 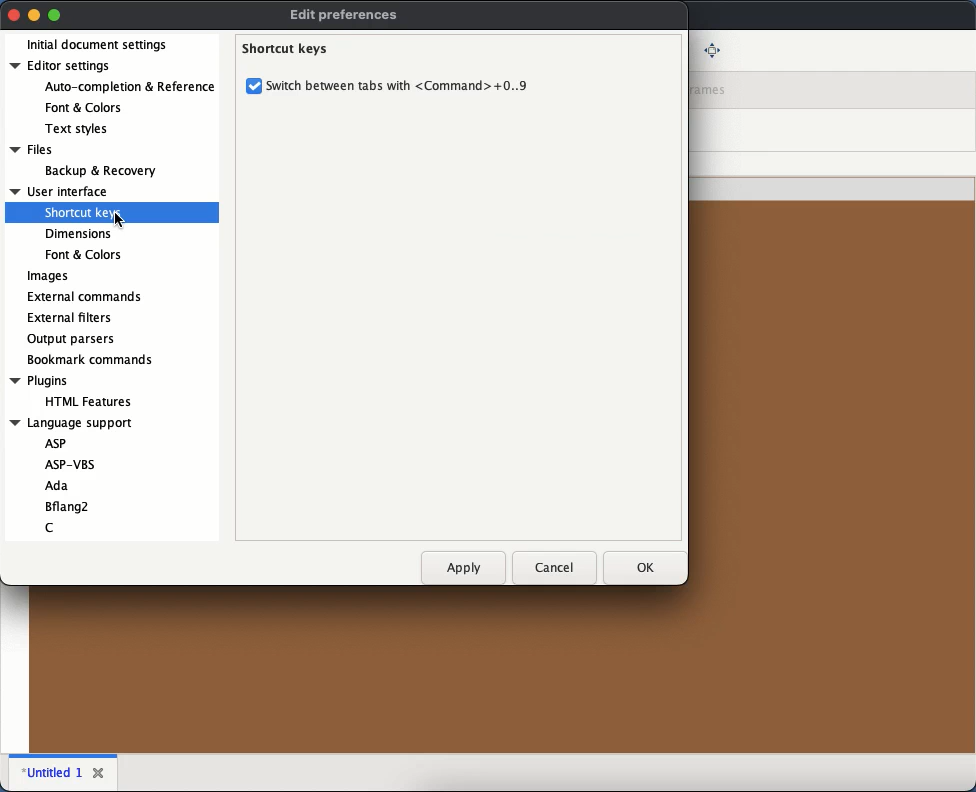 What do you see at coordinates (76, 131) in the screenshot?
I see `Text styles` at bounding box center [76, 131].